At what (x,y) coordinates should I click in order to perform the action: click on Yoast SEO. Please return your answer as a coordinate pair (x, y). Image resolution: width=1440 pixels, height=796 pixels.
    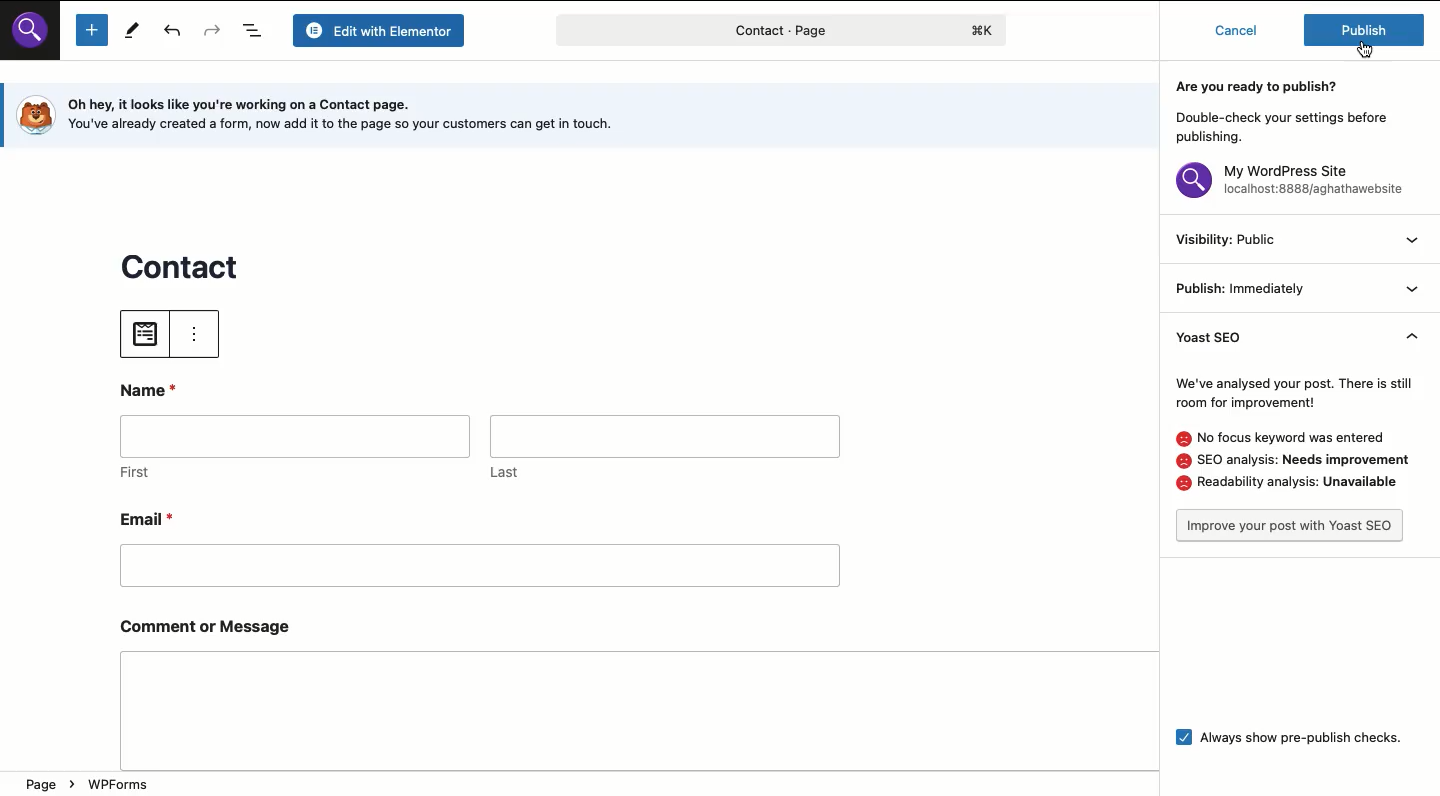
    Looking at the image, I should click on (1223, 344).